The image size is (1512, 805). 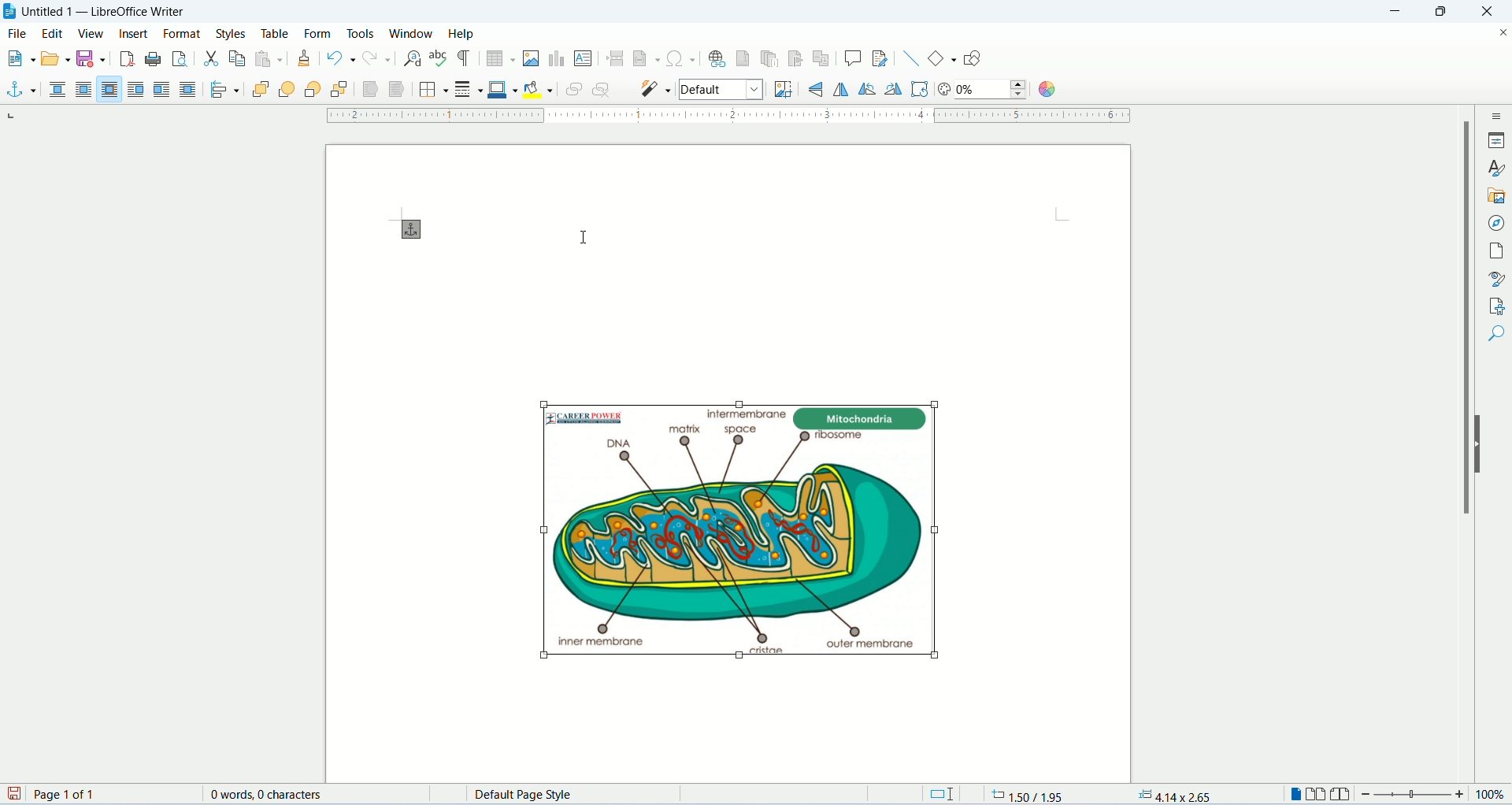 What do you see at coordinates (1496, 168) in the screenshot?
I see `styles` at bounding box center [1496, 168].